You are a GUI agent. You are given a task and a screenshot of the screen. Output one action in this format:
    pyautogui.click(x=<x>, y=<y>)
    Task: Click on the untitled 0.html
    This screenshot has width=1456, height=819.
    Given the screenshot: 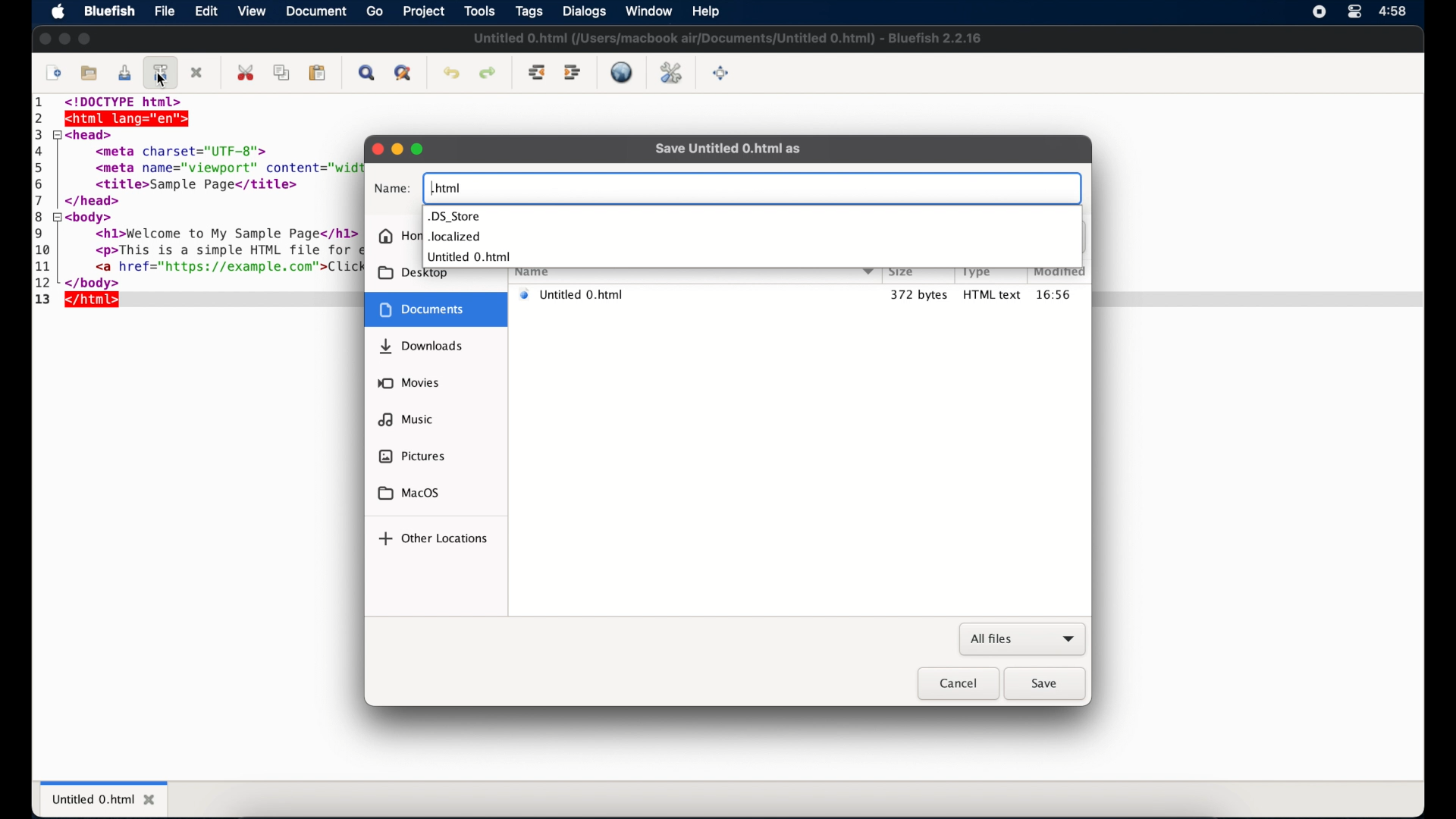 What is the action you would take?
    pyautogui.click(x=693, y=294)
    